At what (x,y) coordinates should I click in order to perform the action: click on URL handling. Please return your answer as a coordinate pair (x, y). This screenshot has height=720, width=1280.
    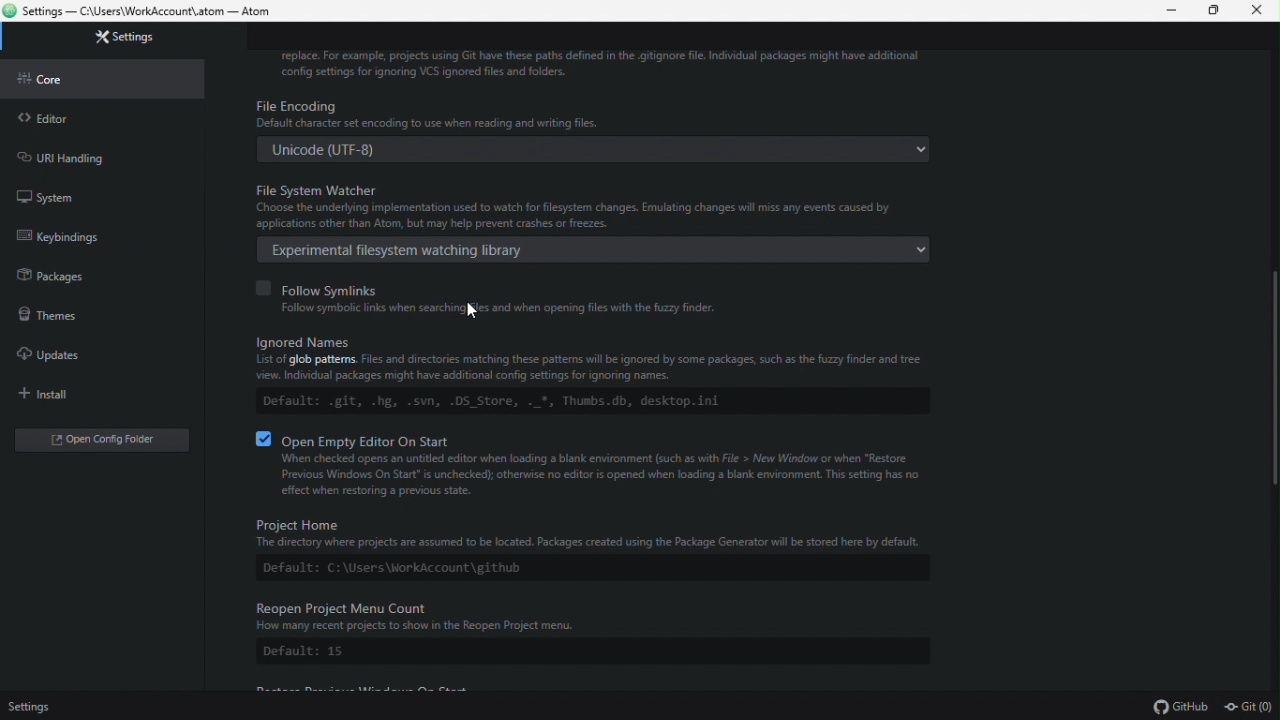
    Looking at the image, I should click on (91, 155).